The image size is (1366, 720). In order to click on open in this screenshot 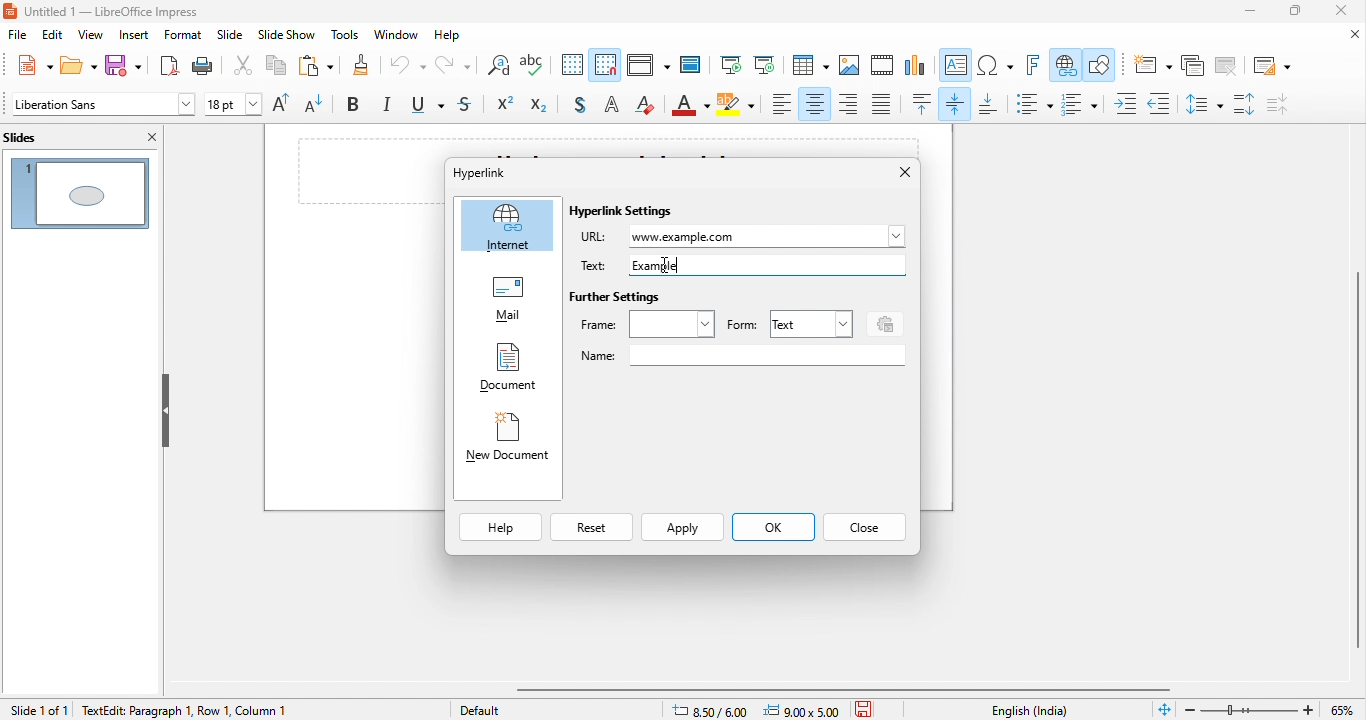, I will do `click(76, 66)`.